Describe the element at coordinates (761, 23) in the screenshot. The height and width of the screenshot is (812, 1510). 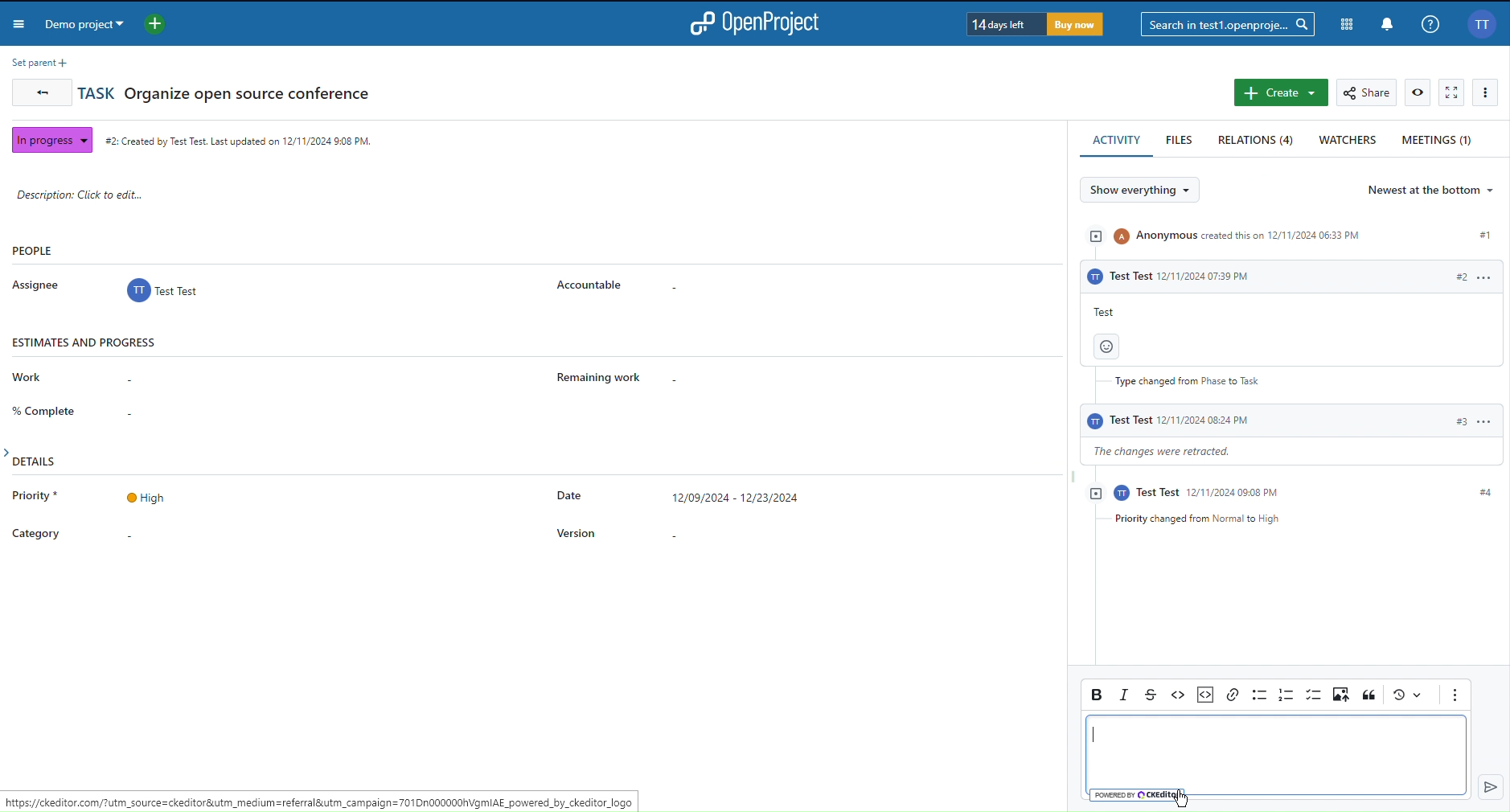
I see `OpenProject` at that location.